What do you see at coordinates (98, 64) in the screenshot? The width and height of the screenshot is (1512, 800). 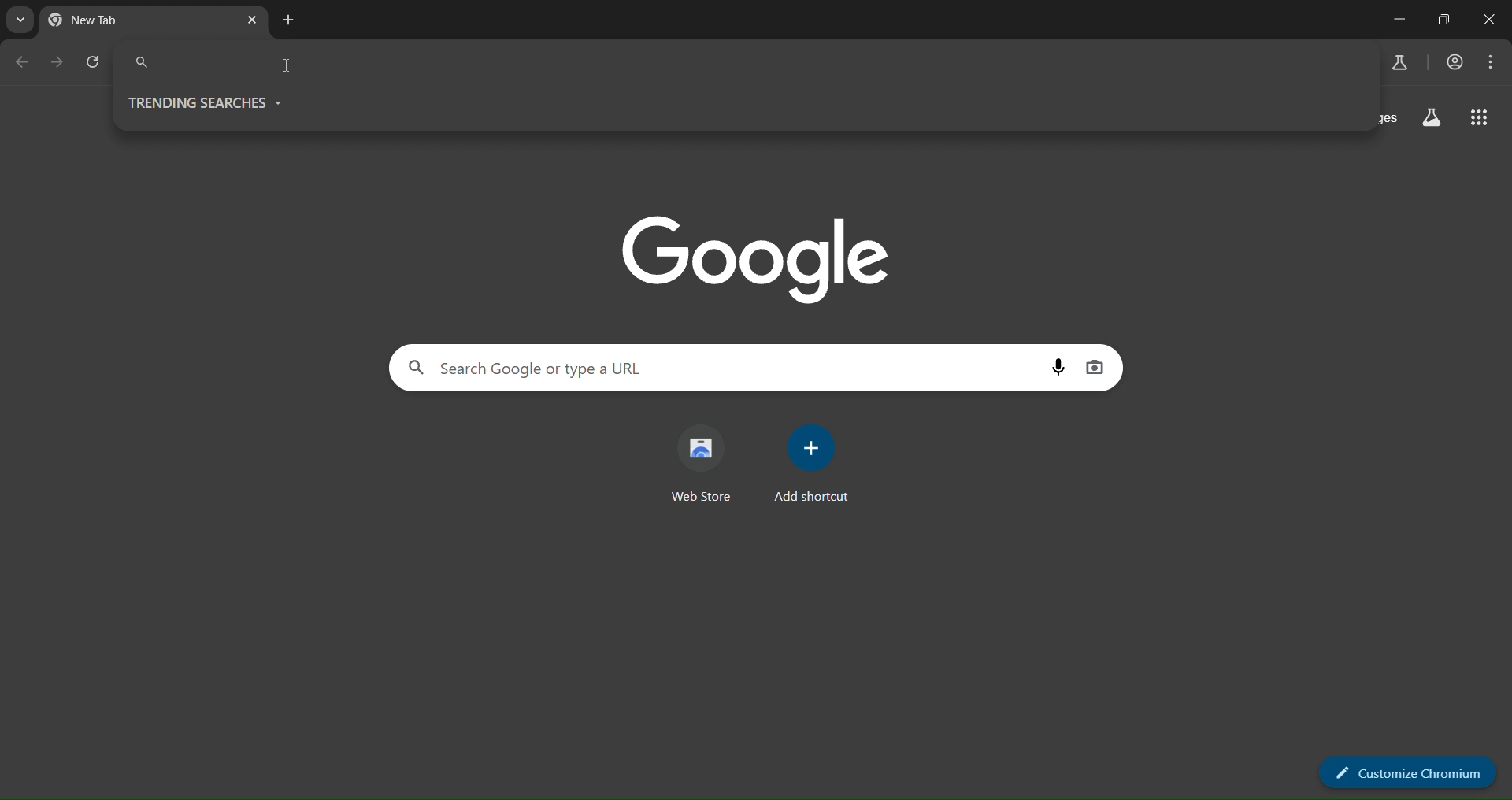 I see `reload` at bounding box center [98, 64].